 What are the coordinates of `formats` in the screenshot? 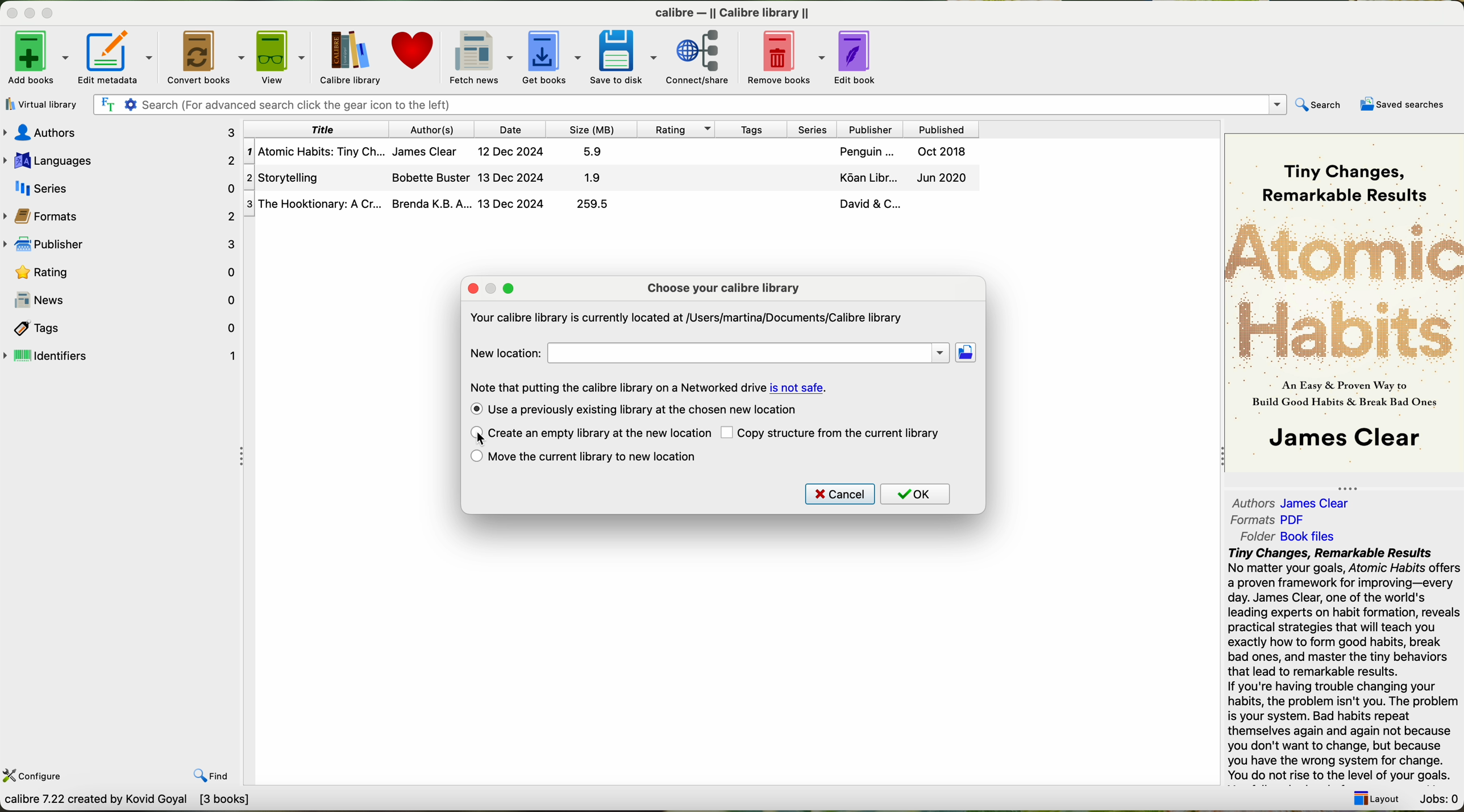 It's located at (121, 215).